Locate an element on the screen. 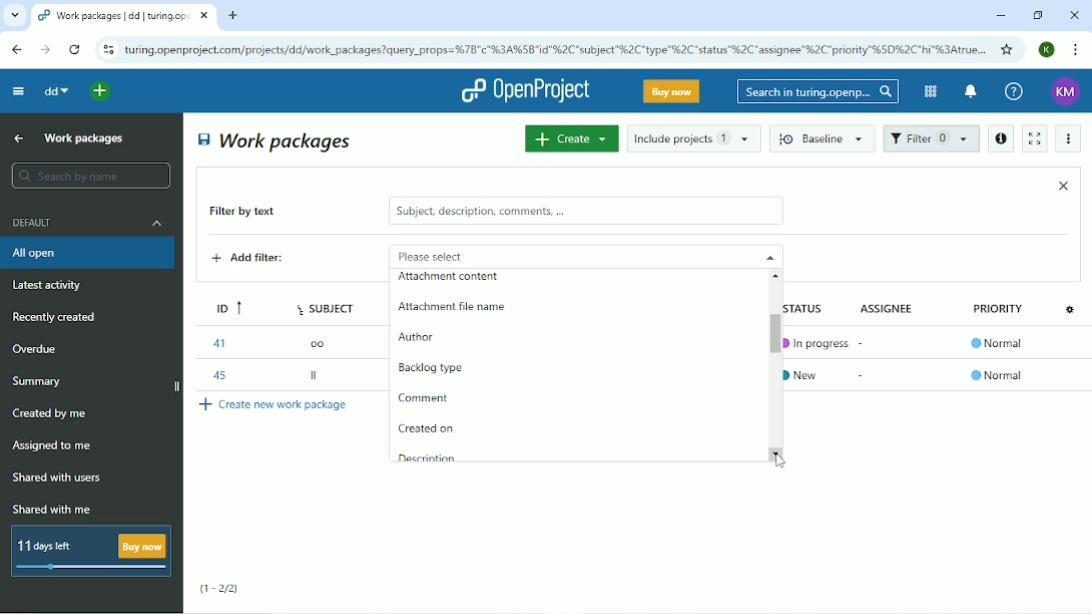  Up is located at coordinates (16, 139).